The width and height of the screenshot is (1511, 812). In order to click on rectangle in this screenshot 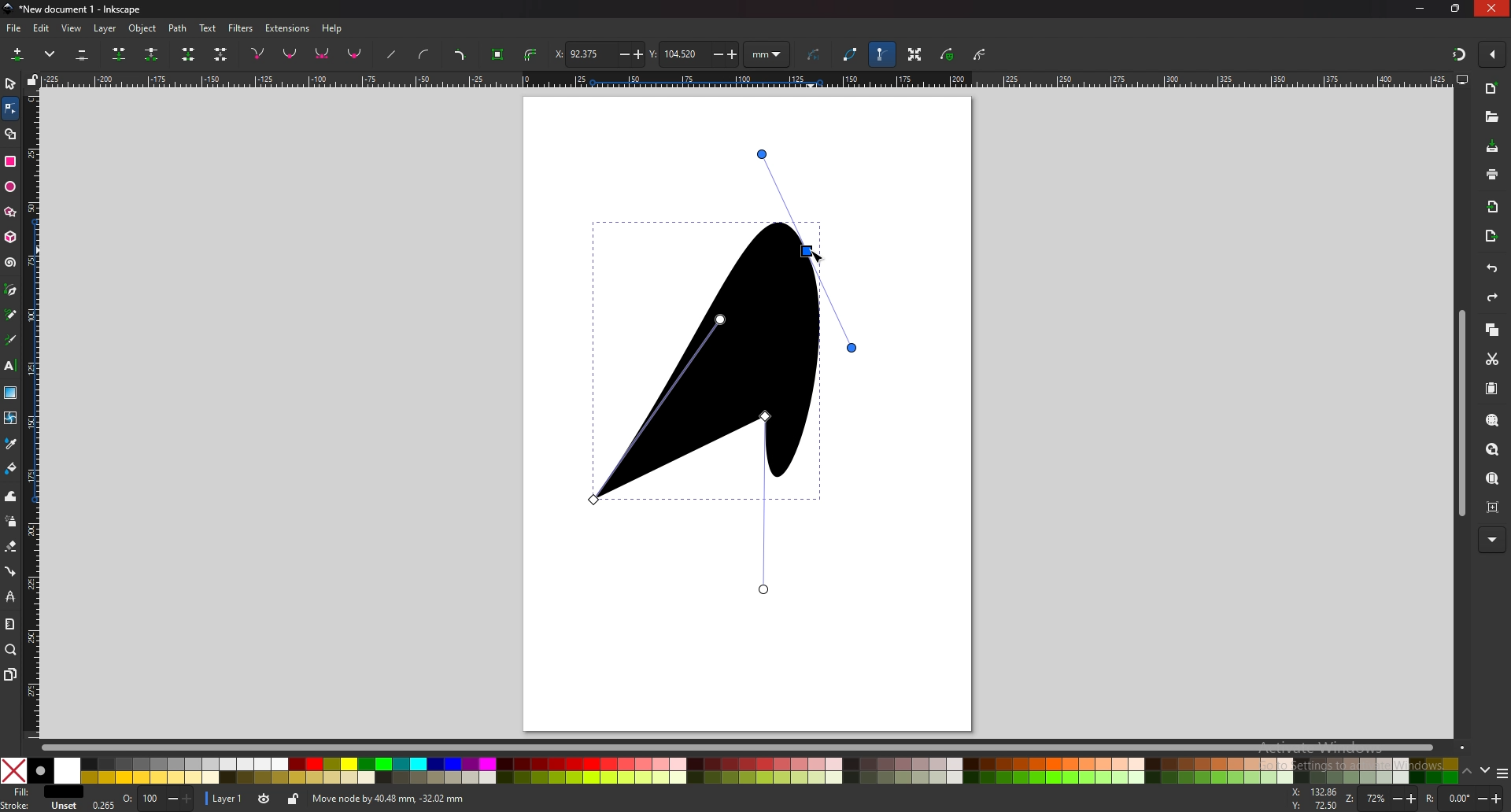, I will do `click(10, 161)`.